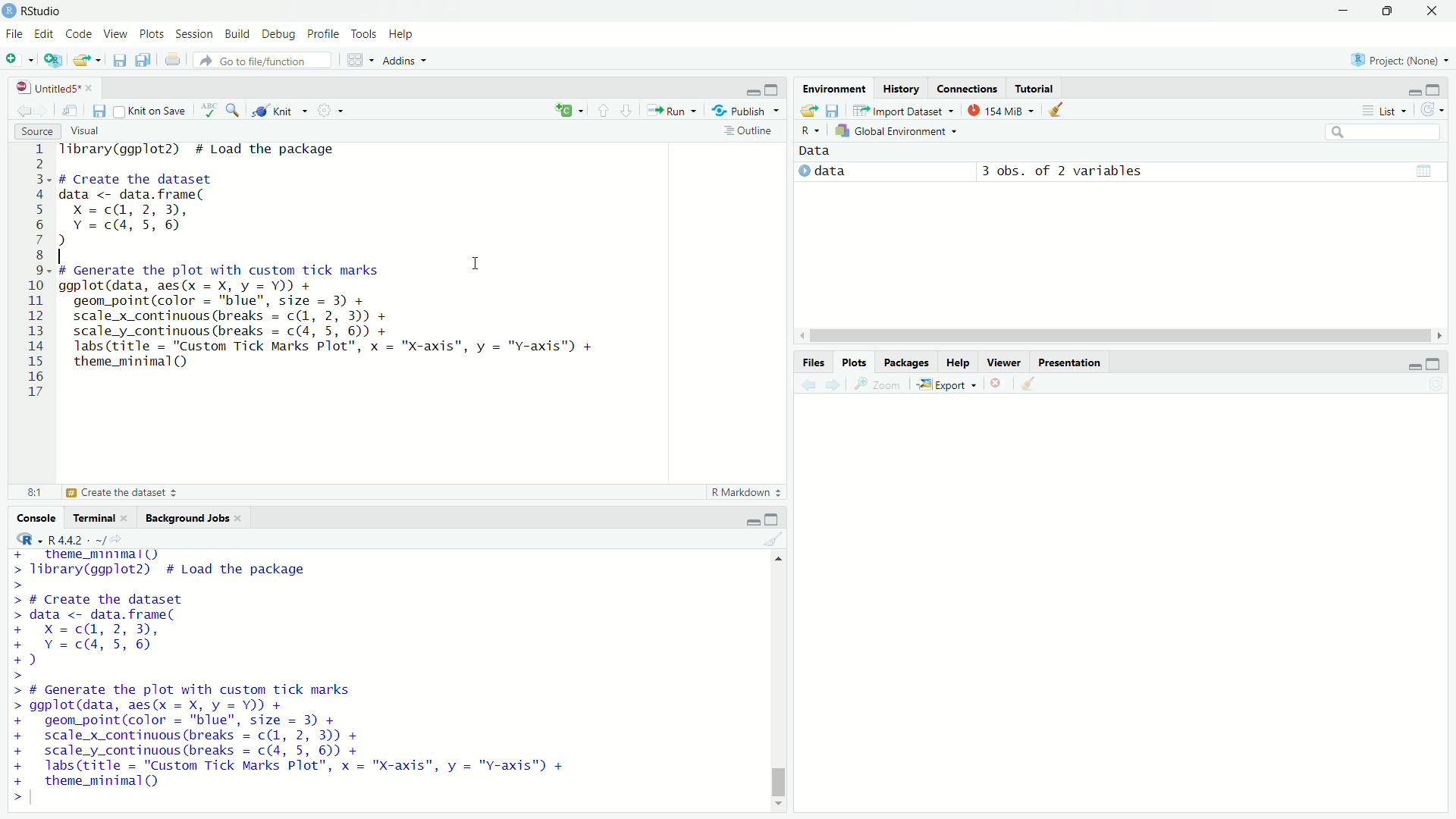  What do you see at coordinates (19, 677) in the screenshot?
I see `prompt cursor` at bounding box center [19, 677].